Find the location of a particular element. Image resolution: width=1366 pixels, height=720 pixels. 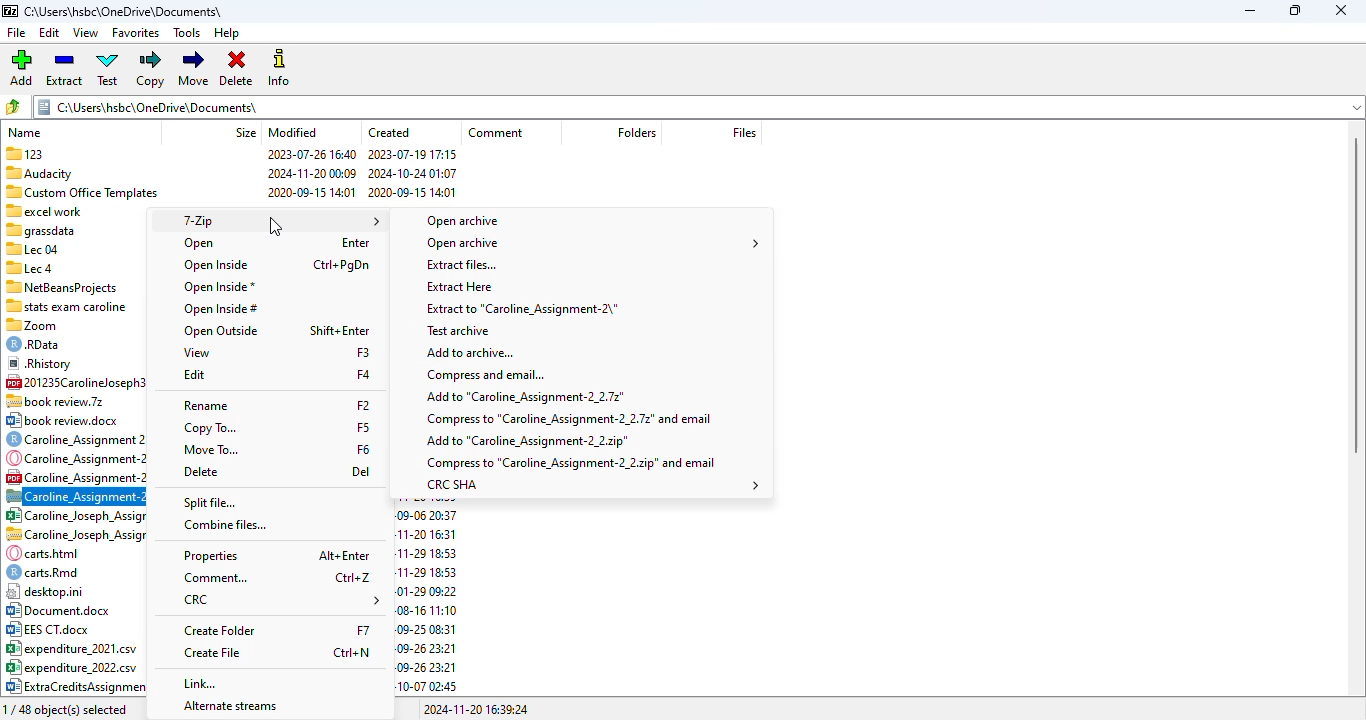

help is located at coordinates (228, 34).